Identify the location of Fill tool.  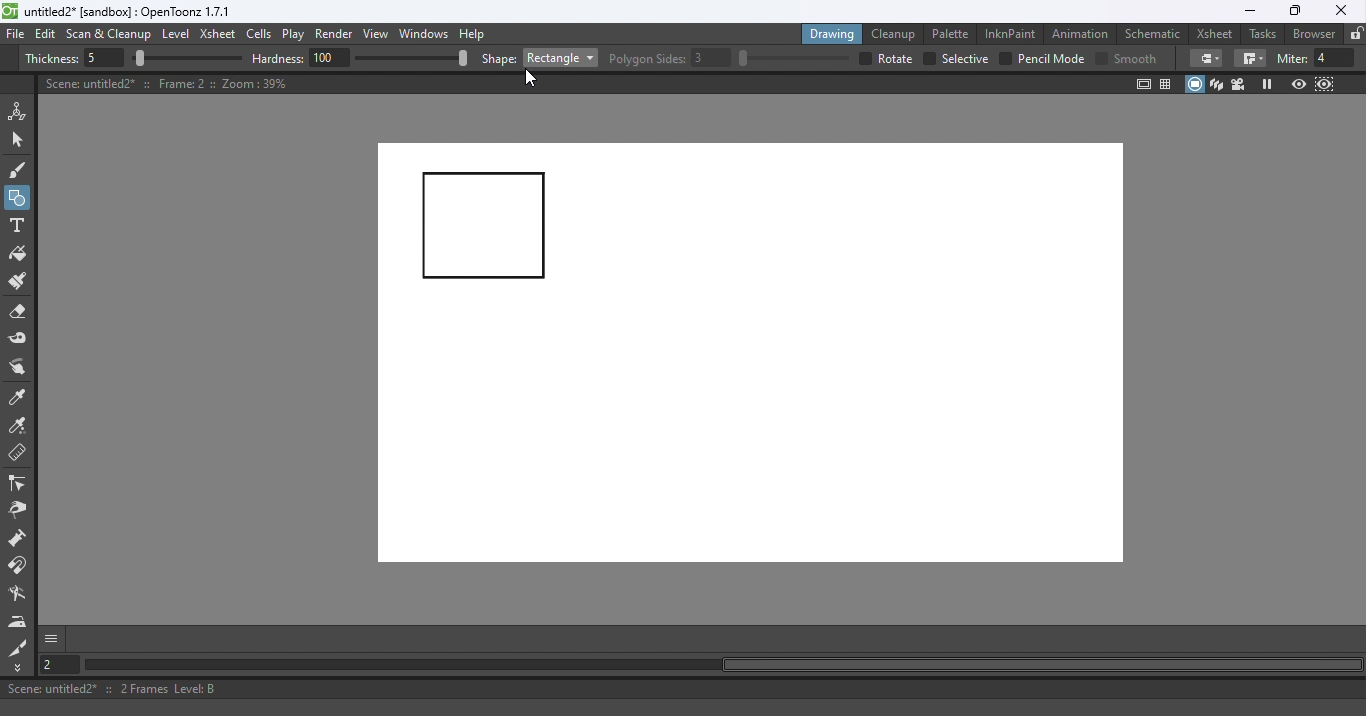
(18, 256).